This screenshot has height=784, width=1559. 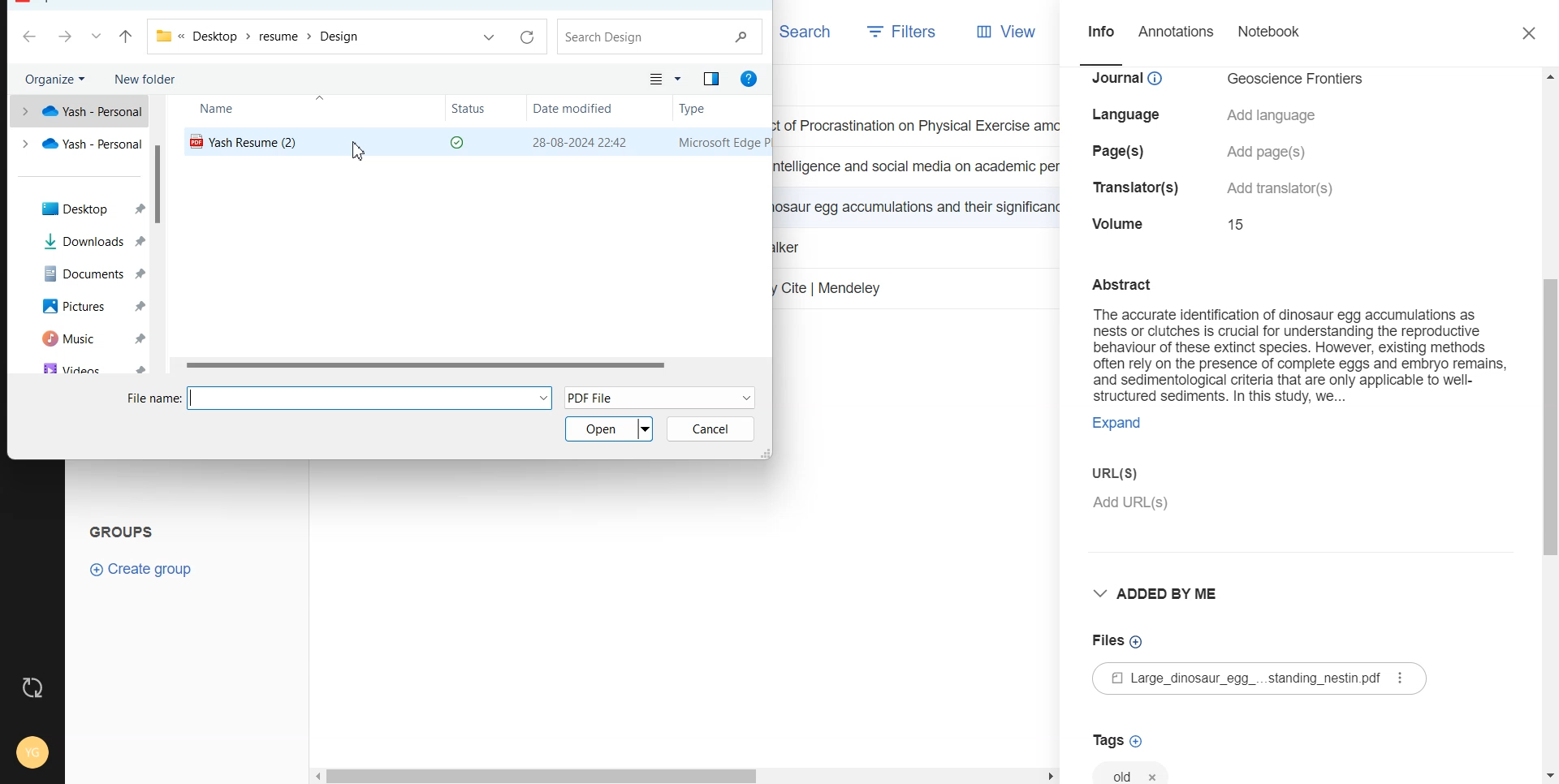 I want to click on Text, so click(x=1294, y=334).